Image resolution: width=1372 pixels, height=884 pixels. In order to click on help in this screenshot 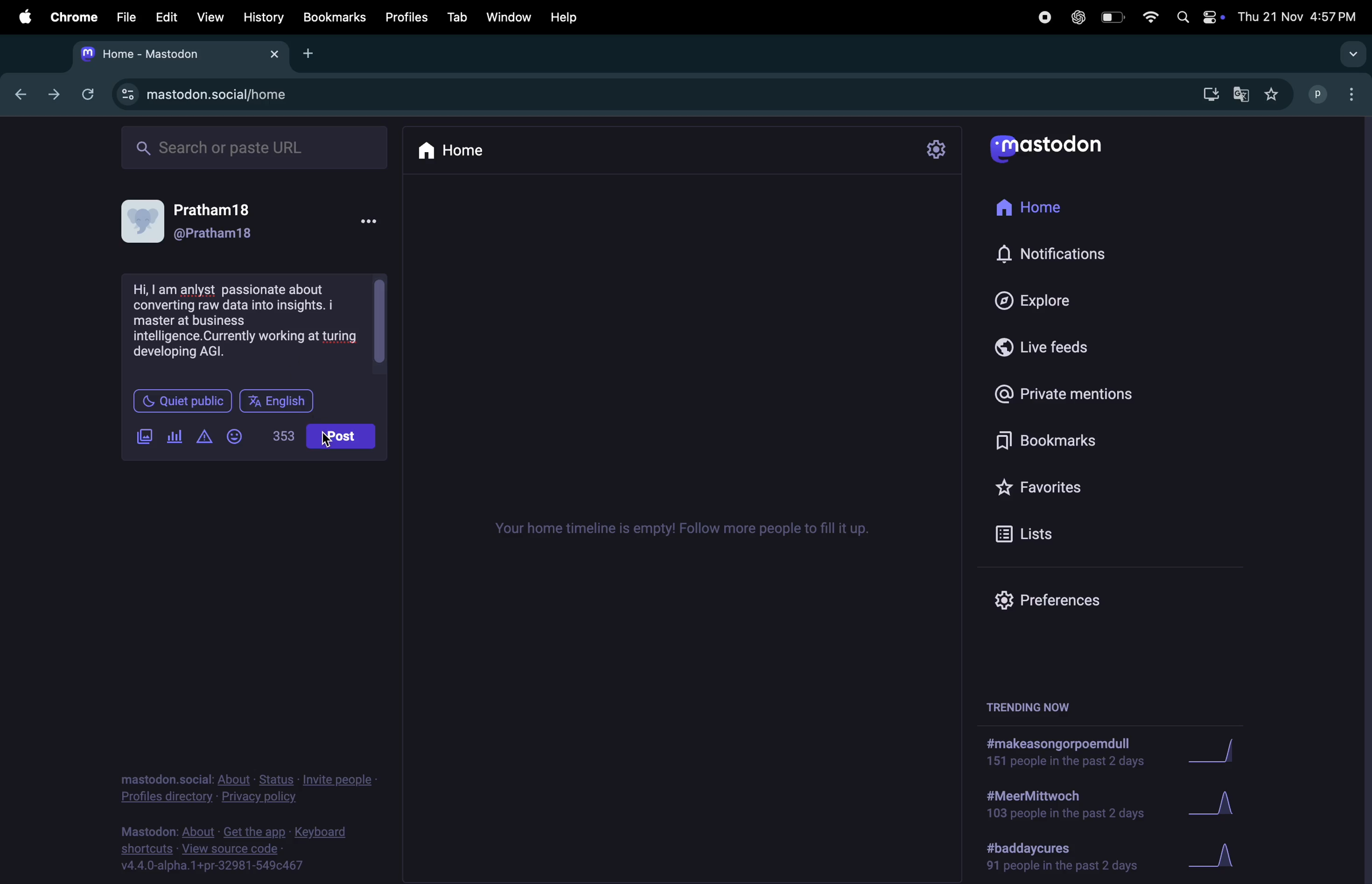, I will do `click(565, 17)`.